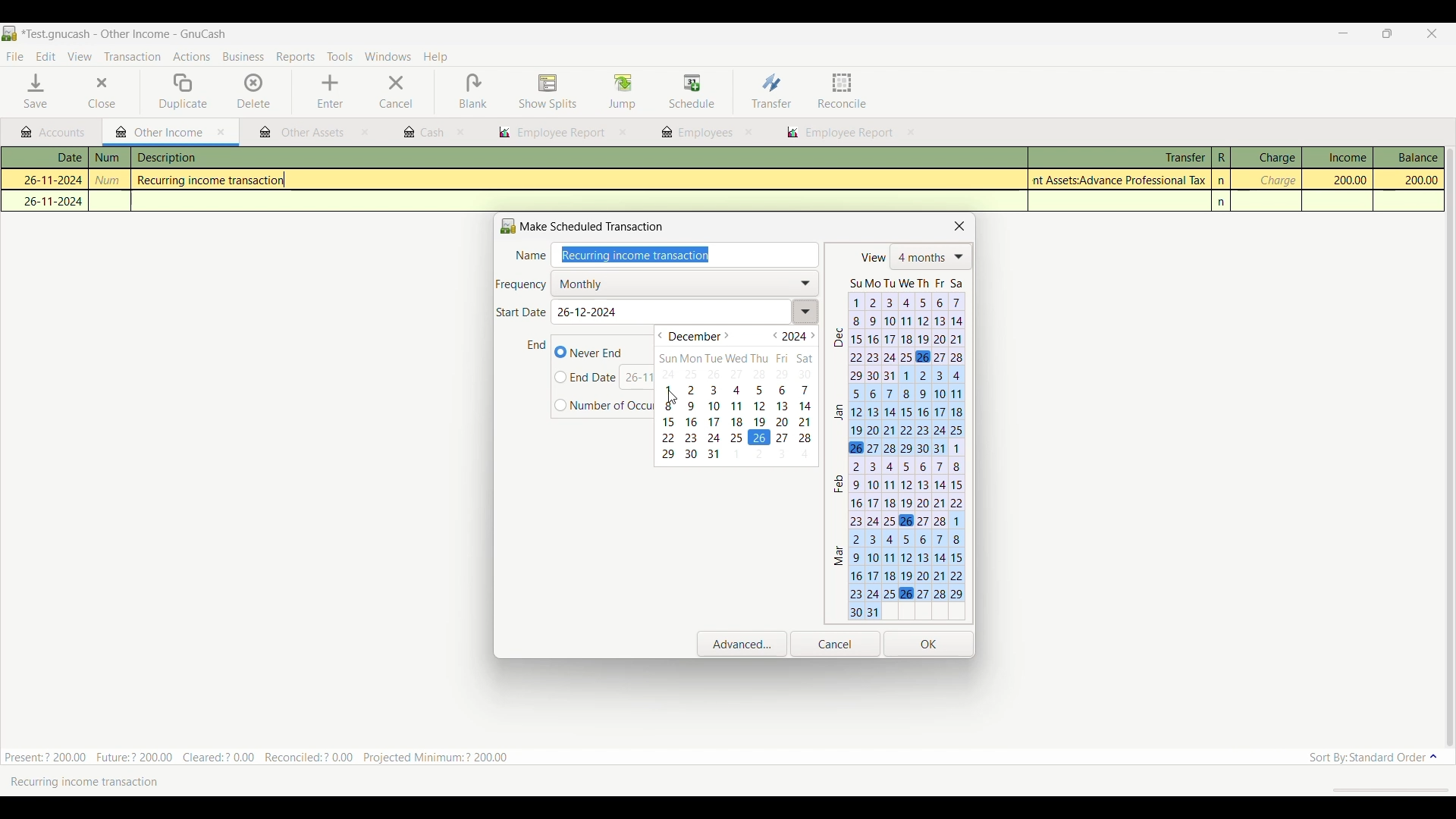 The width and height of the screenshot is (1456, 819). Describe the element at coordinates (1409, 180) in the screenshot. I see `200.00` at that location.